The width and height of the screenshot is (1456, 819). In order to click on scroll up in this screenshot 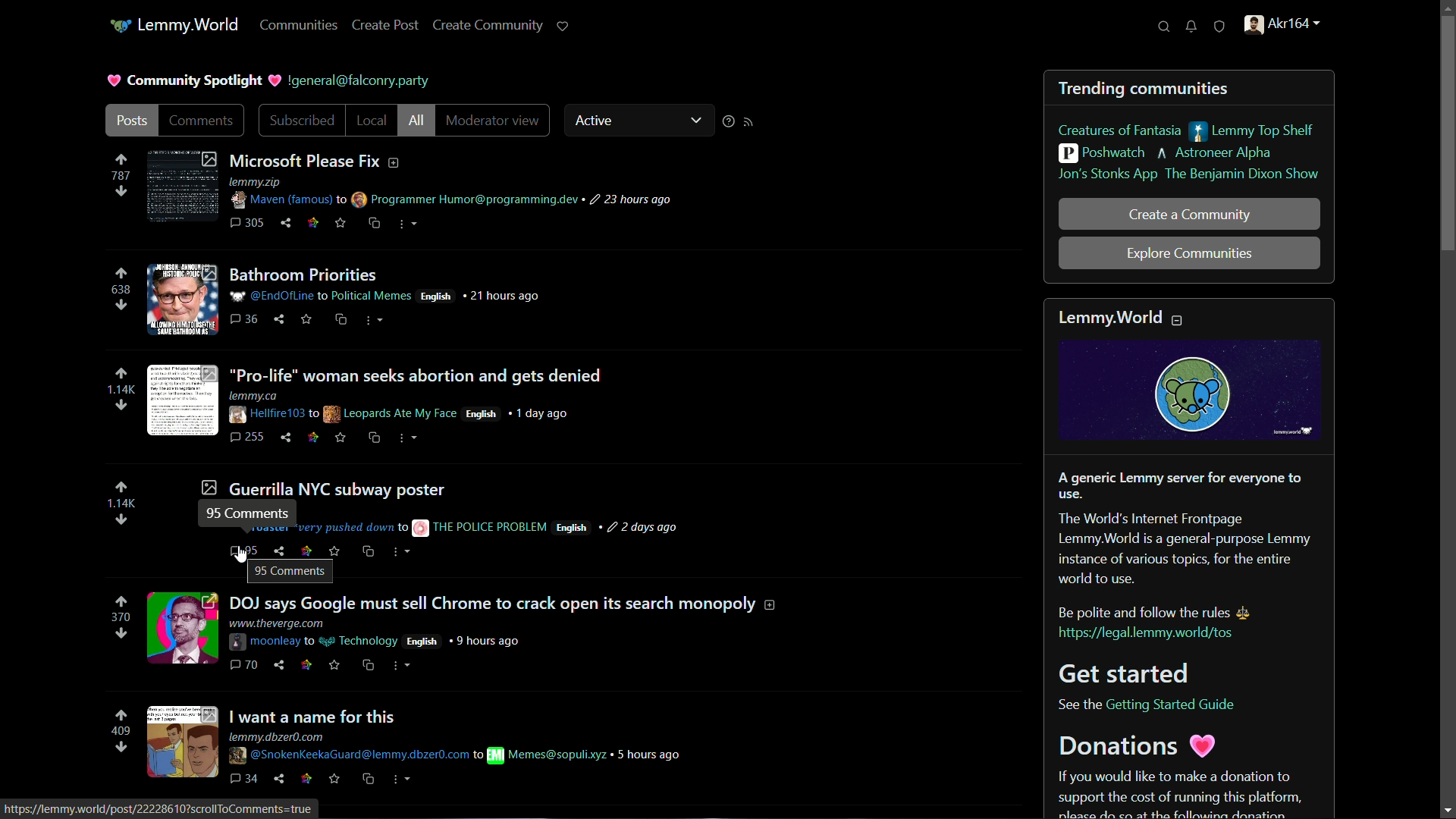, I will do `click(1445, 9)`.